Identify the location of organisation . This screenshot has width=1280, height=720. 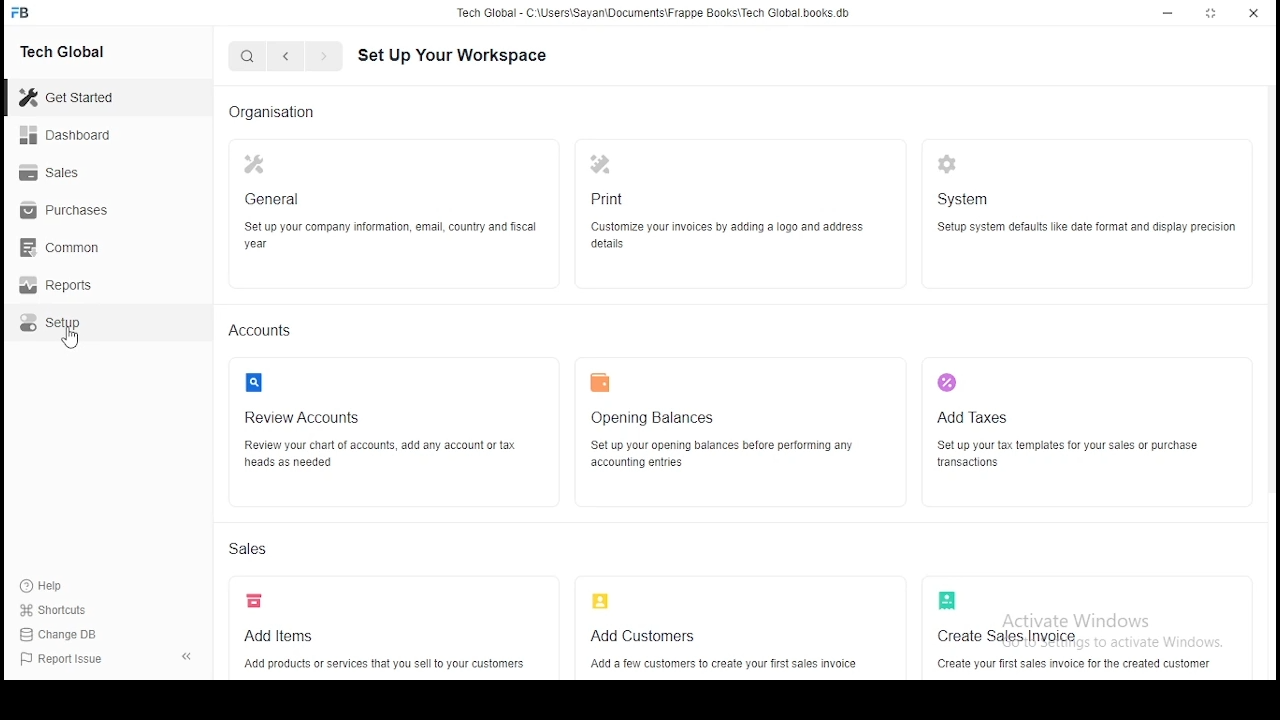
(279, 112).